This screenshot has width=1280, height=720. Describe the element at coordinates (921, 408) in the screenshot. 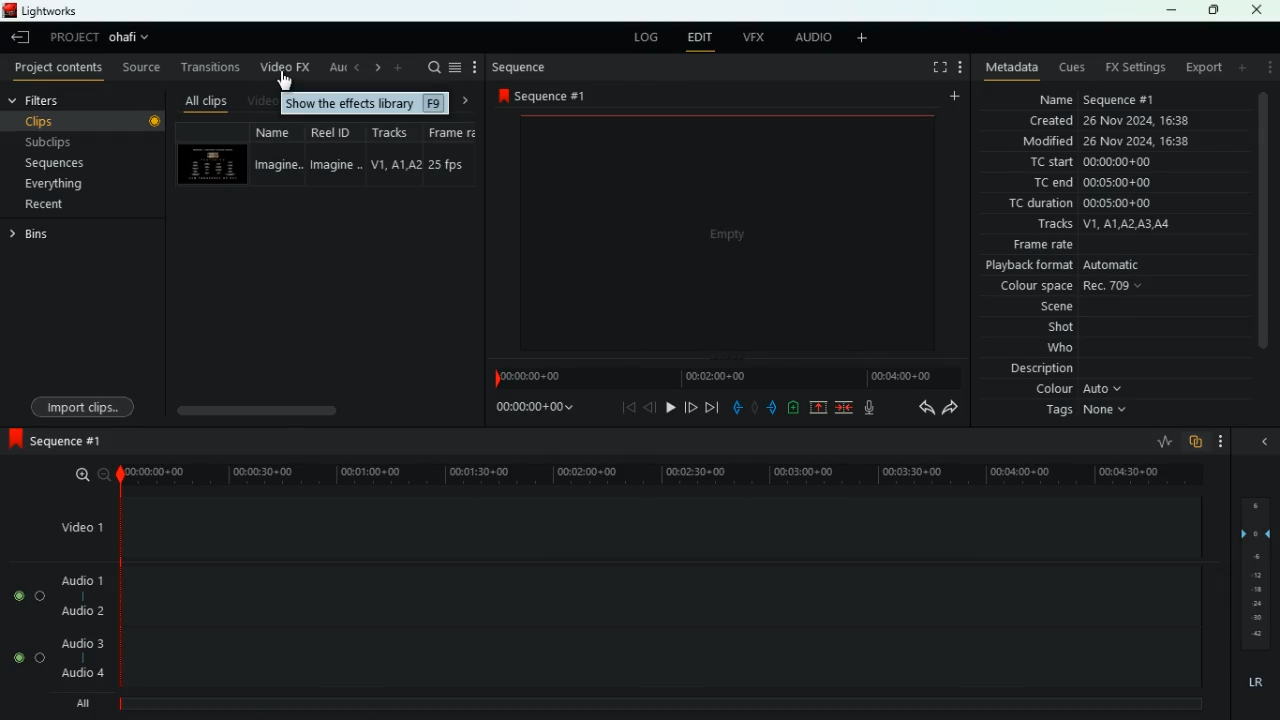

I see `backward` at that location.